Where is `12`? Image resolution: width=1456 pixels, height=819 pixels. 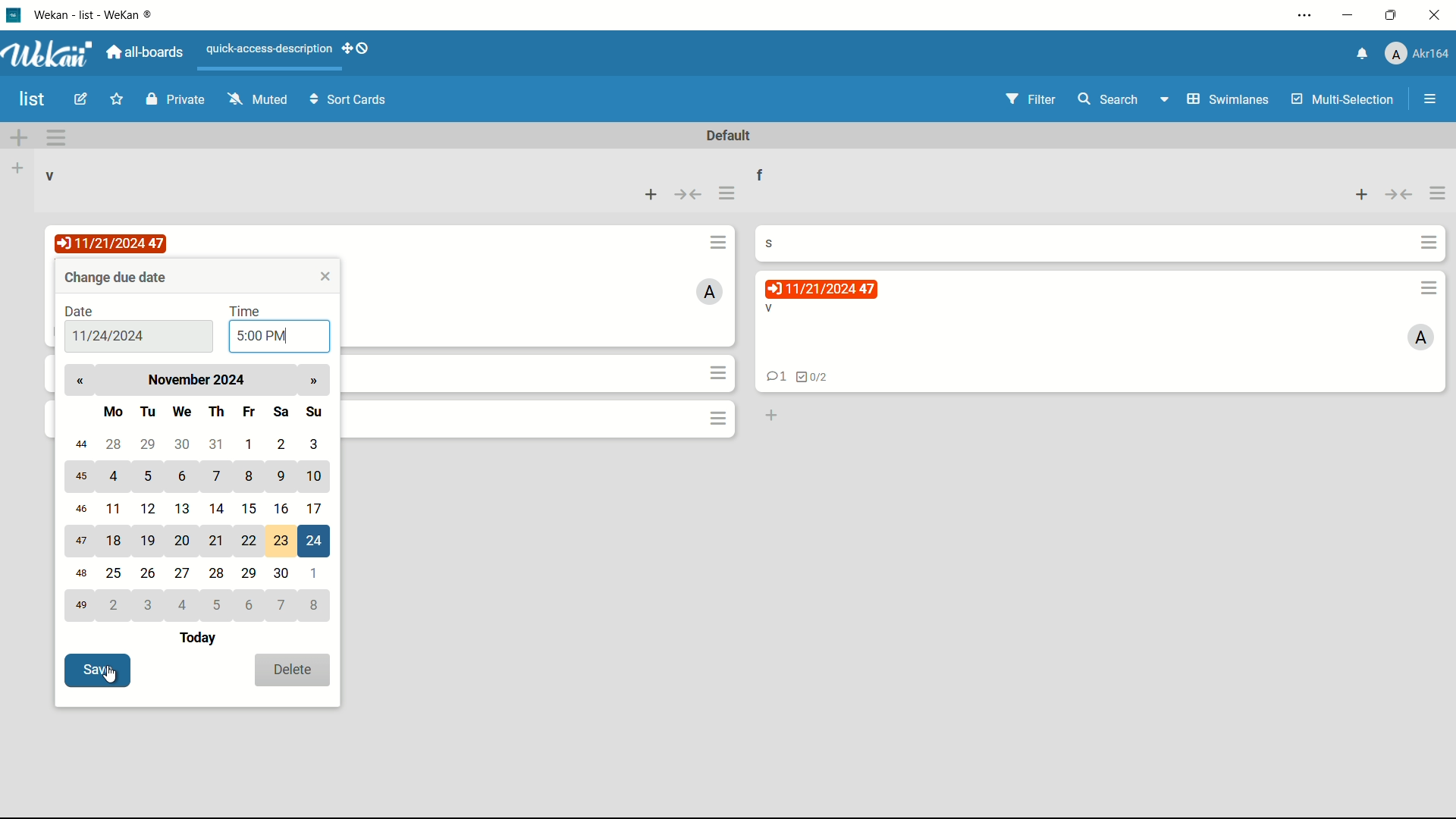 12 is located at coordinates (151, 508).